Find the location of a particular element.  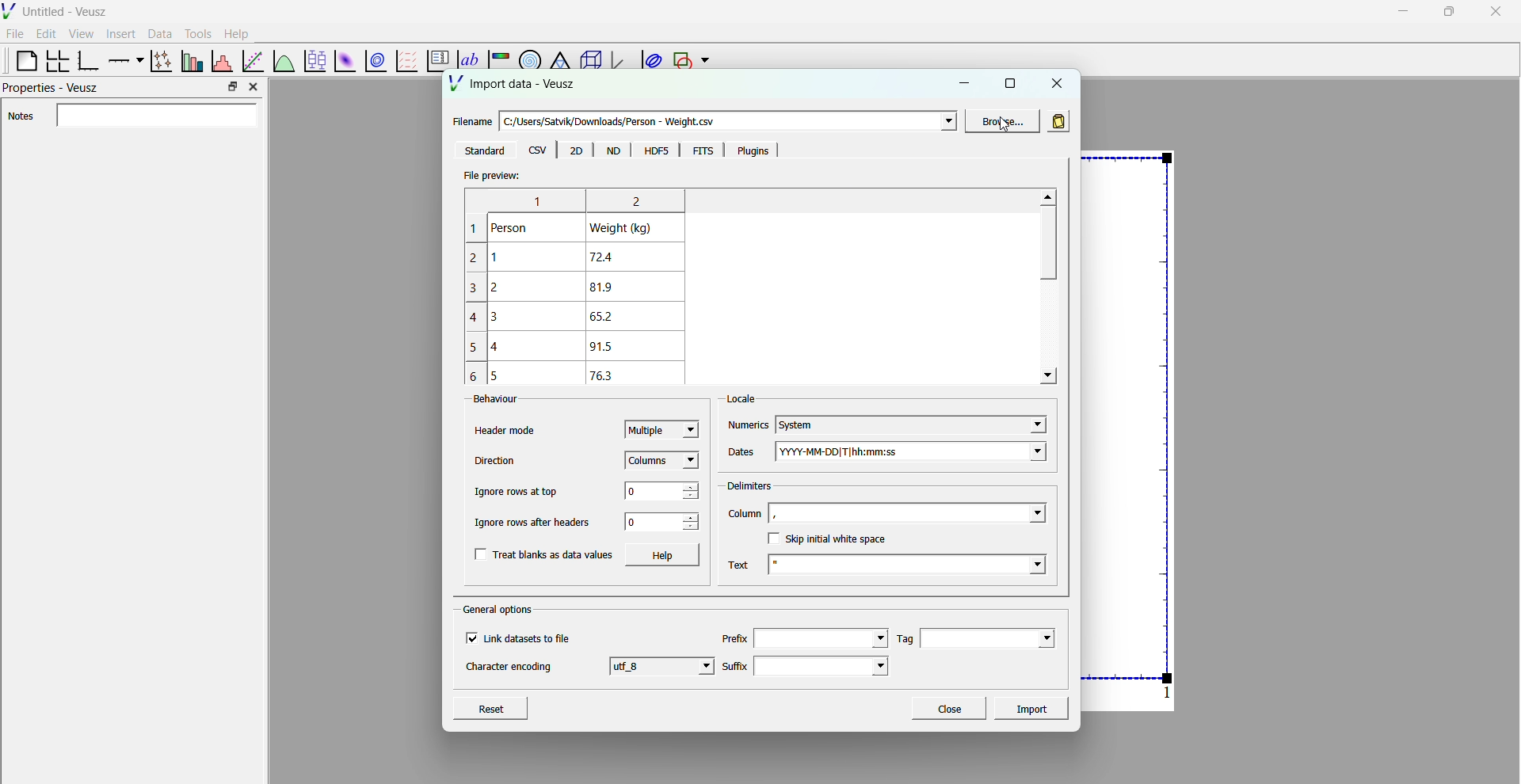

Behaviour is located at coordinates (487, 401).